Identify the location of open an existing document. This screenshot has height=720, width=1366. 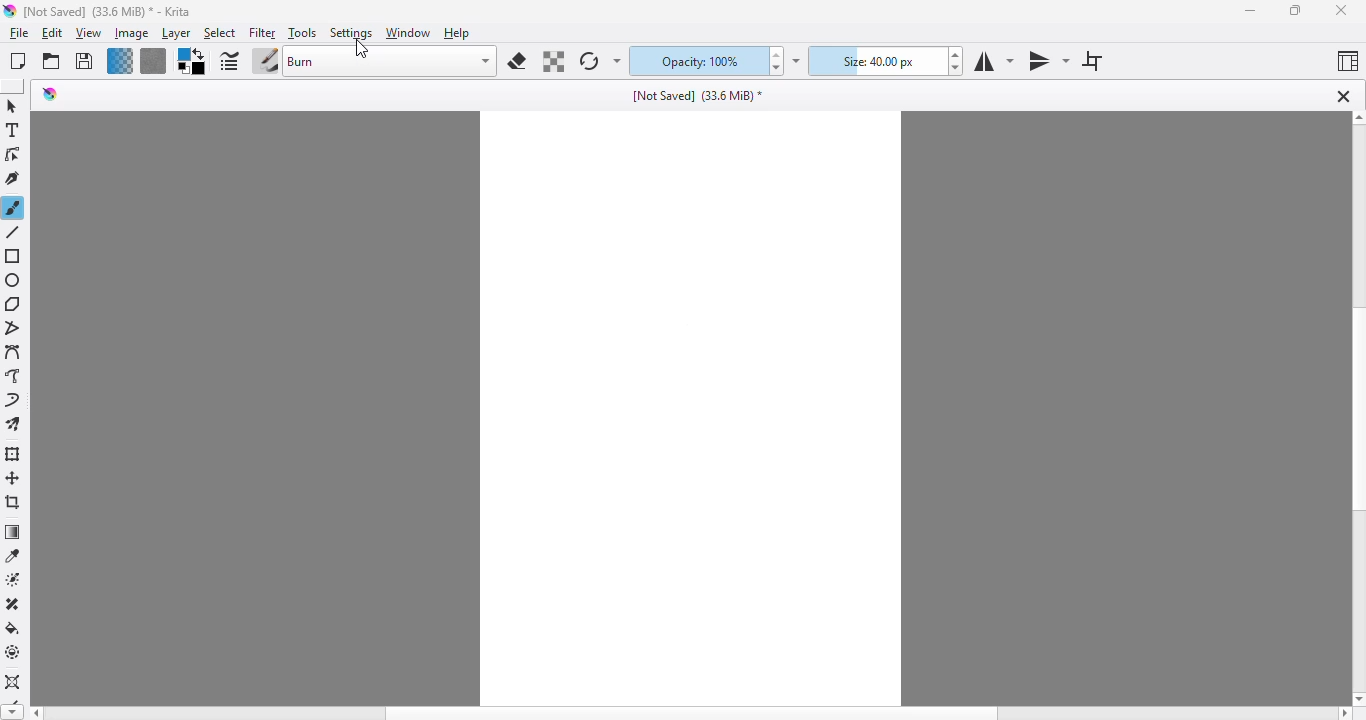
(51, 61).